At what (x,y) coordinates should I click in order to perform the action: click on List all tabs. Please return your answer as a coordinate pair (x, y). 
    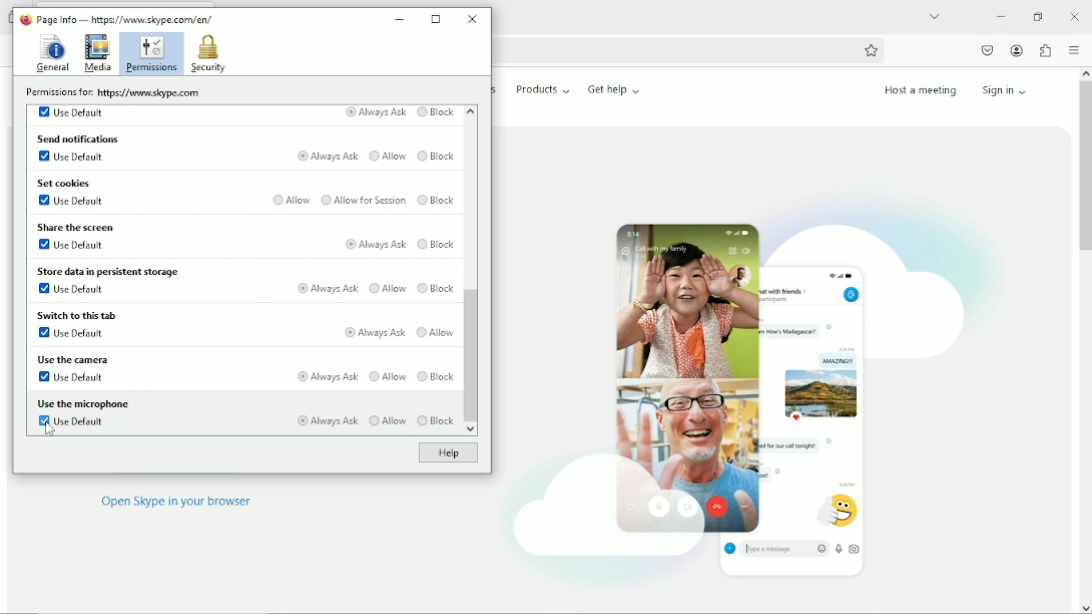
    Looking at the image, I should click on (934, 15).